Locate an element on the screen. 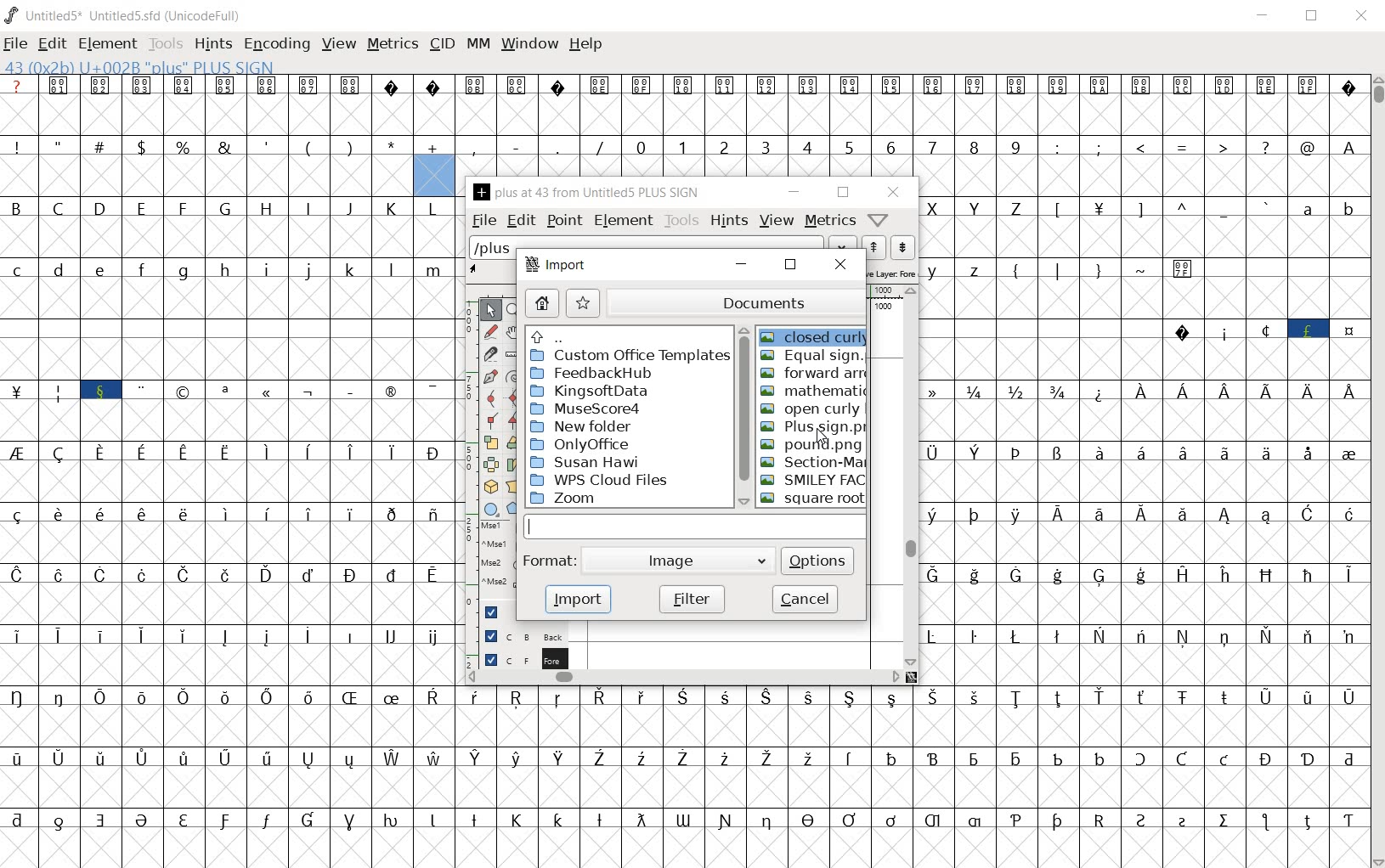 Image resolution: width=1385 pixels, height=868 pixels. mm is located at coordinates (476, 42).